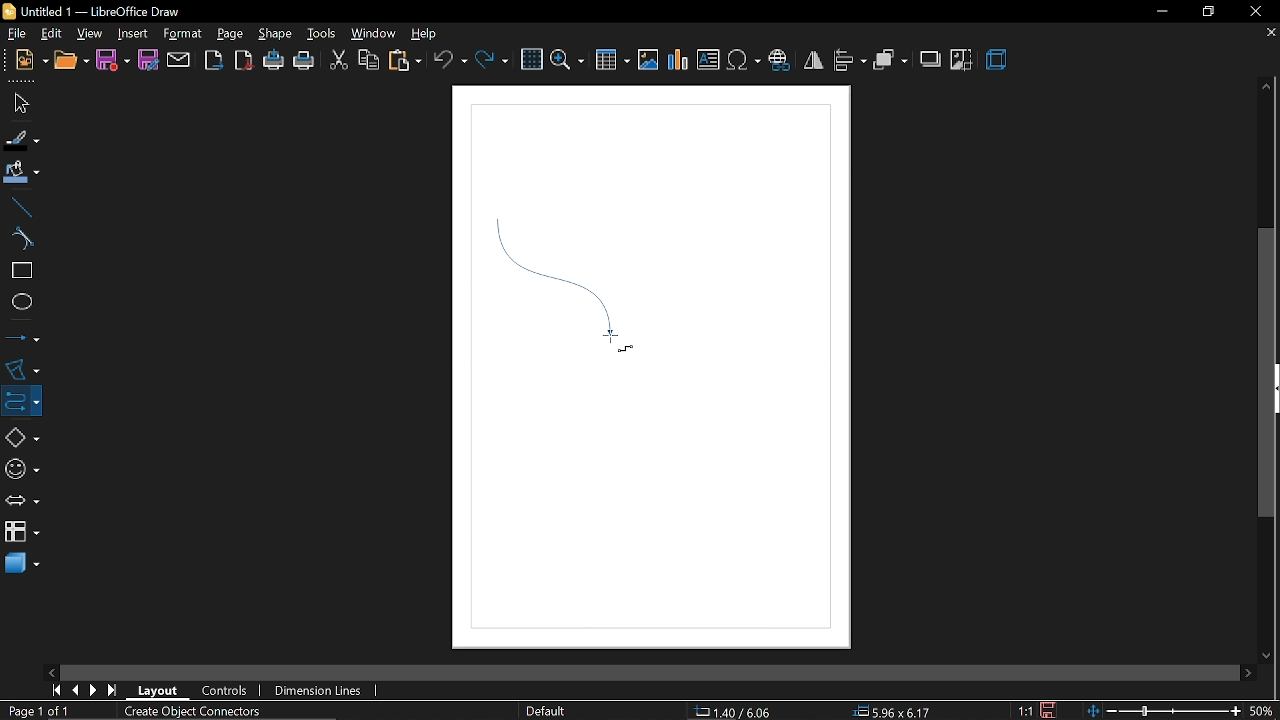 The width and height of the screenshot is (1280, 720). I want to click on shape, so click(272, 33).